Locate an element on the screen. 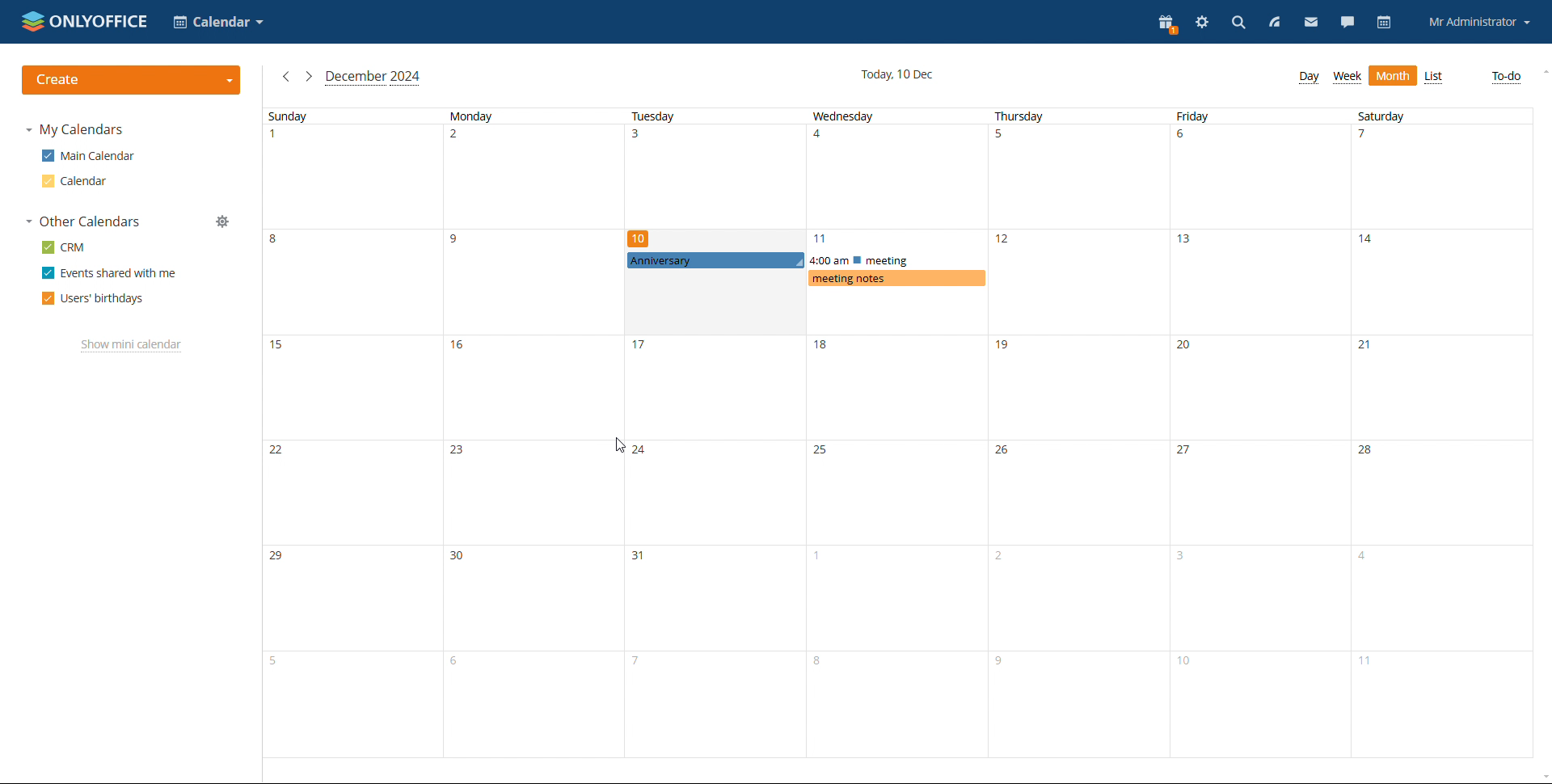  search is located at coordinates (1239, 22).